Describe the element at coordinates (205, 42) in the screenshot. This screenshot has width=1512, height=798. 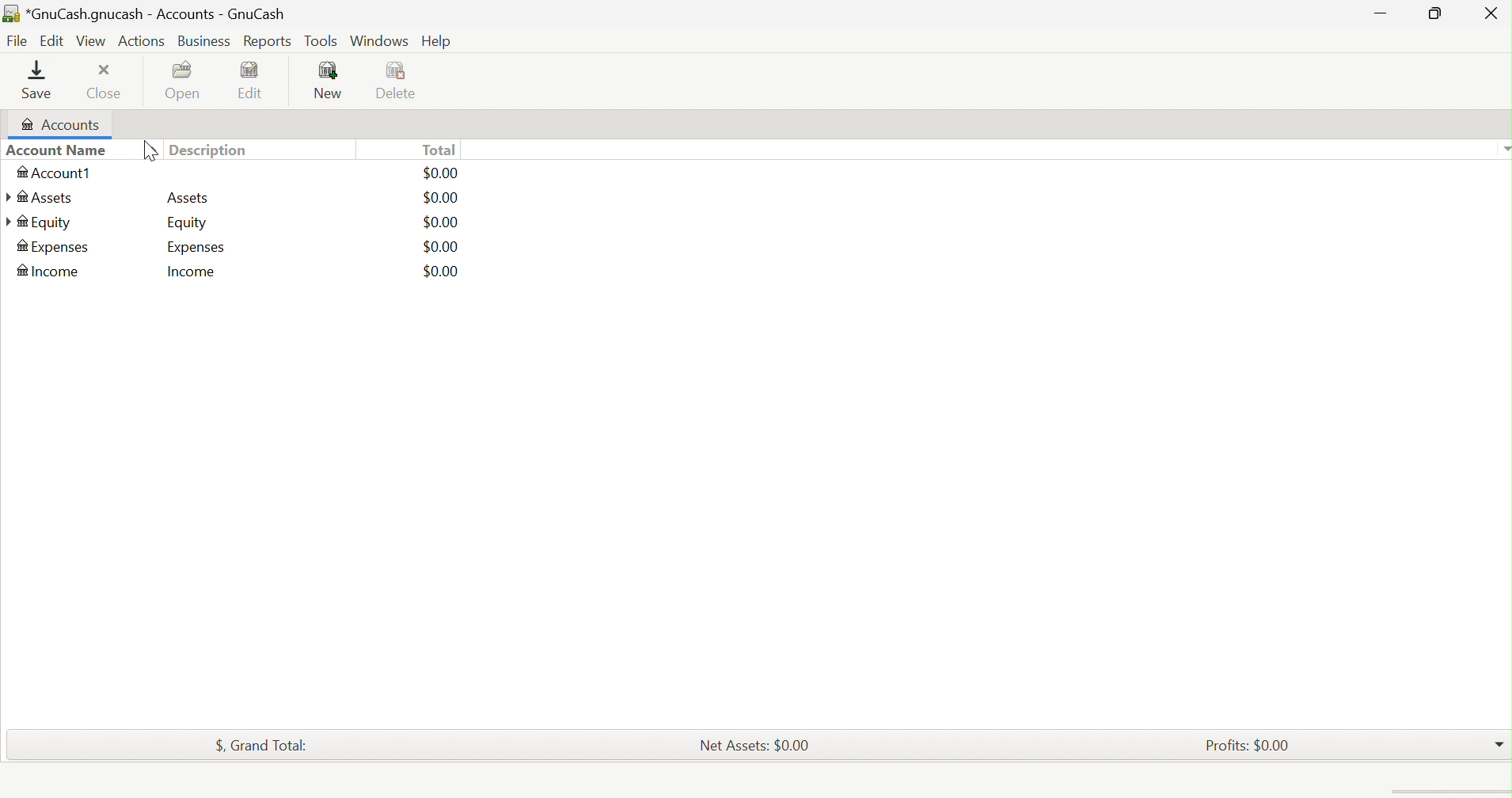
I see `Business` at that location.